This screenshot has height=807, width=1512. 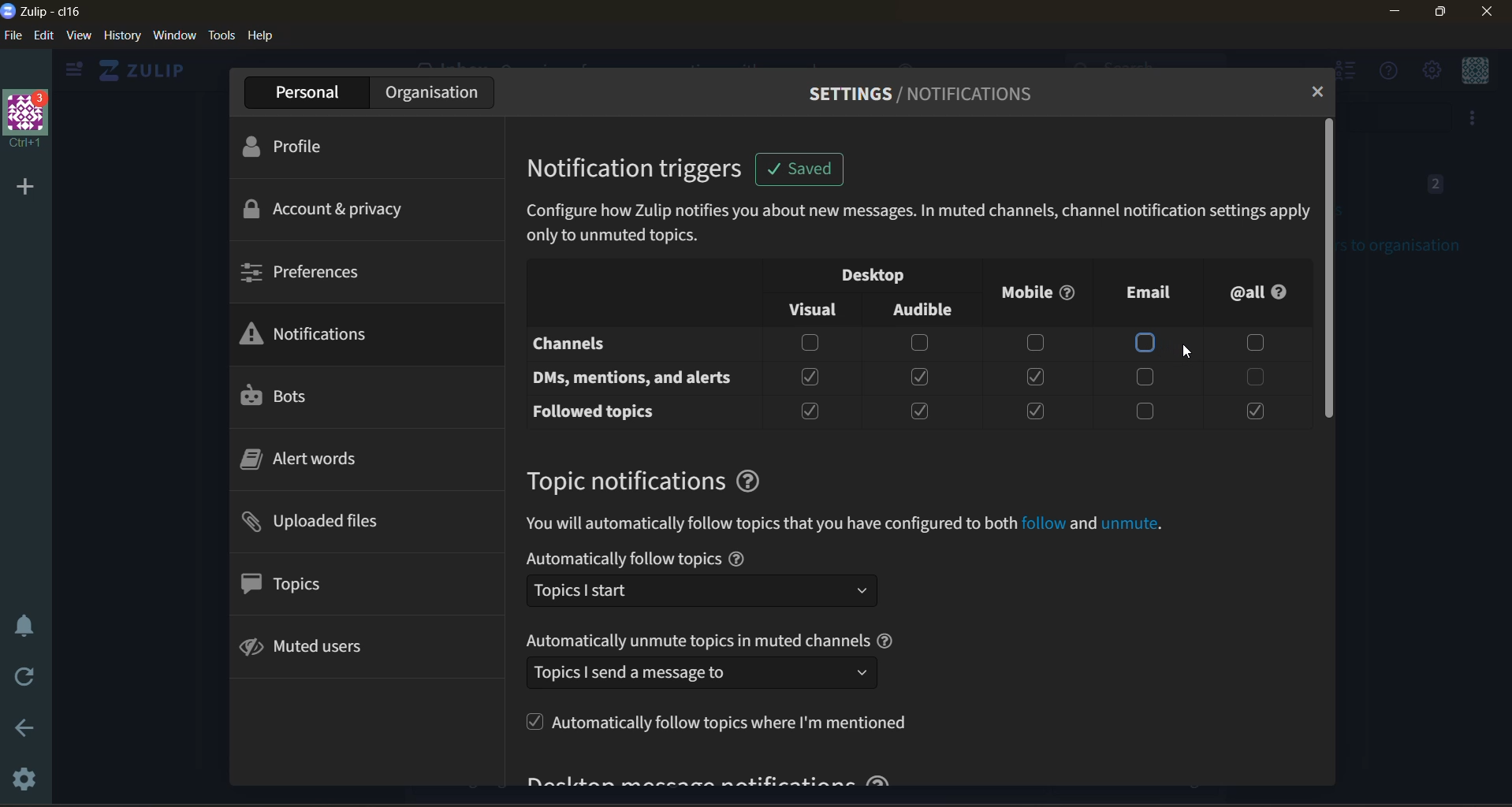 What do you see at coordinates (122, 35) in the screenshot?
I see `history` at bounding box center [122, 35].